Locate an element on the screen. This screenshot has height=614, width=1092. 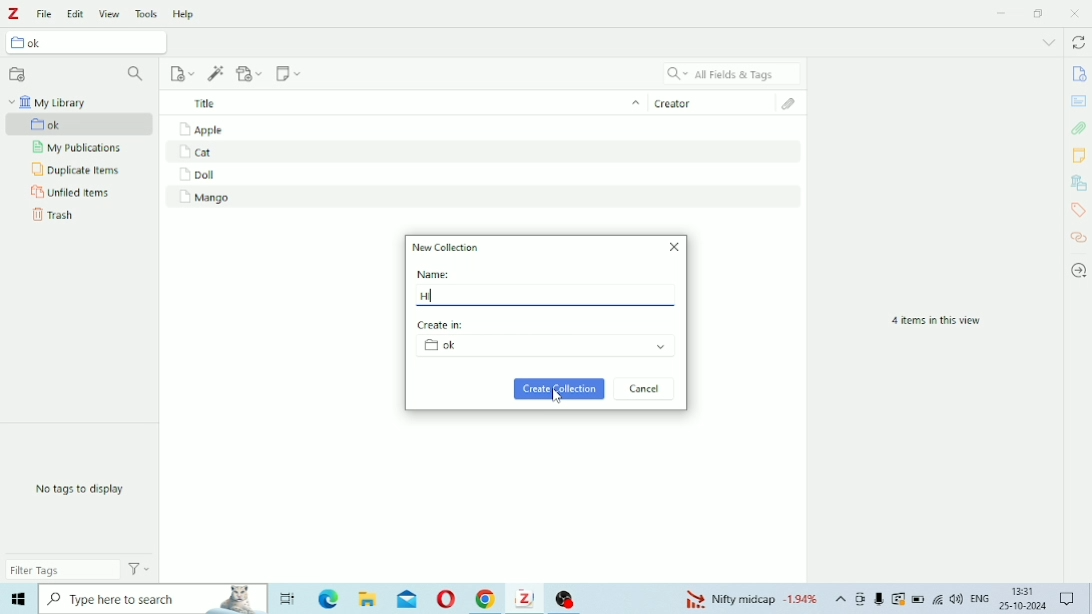
New Note is located at coordinates (289, 73).